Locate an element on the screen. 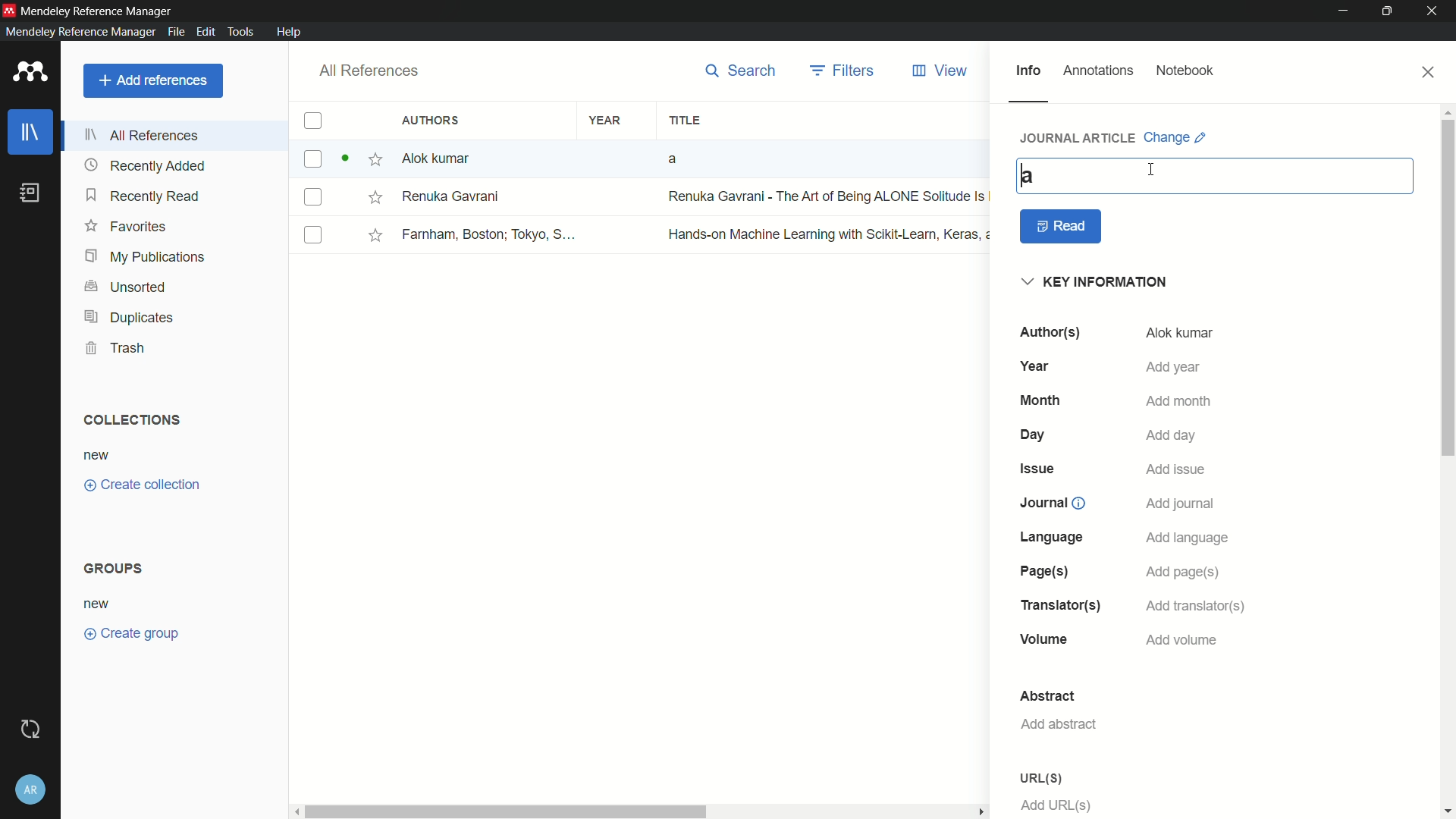 Image resolution: width=1456 pixels, height=819 pixels. library is located at coordinates (31, 133).